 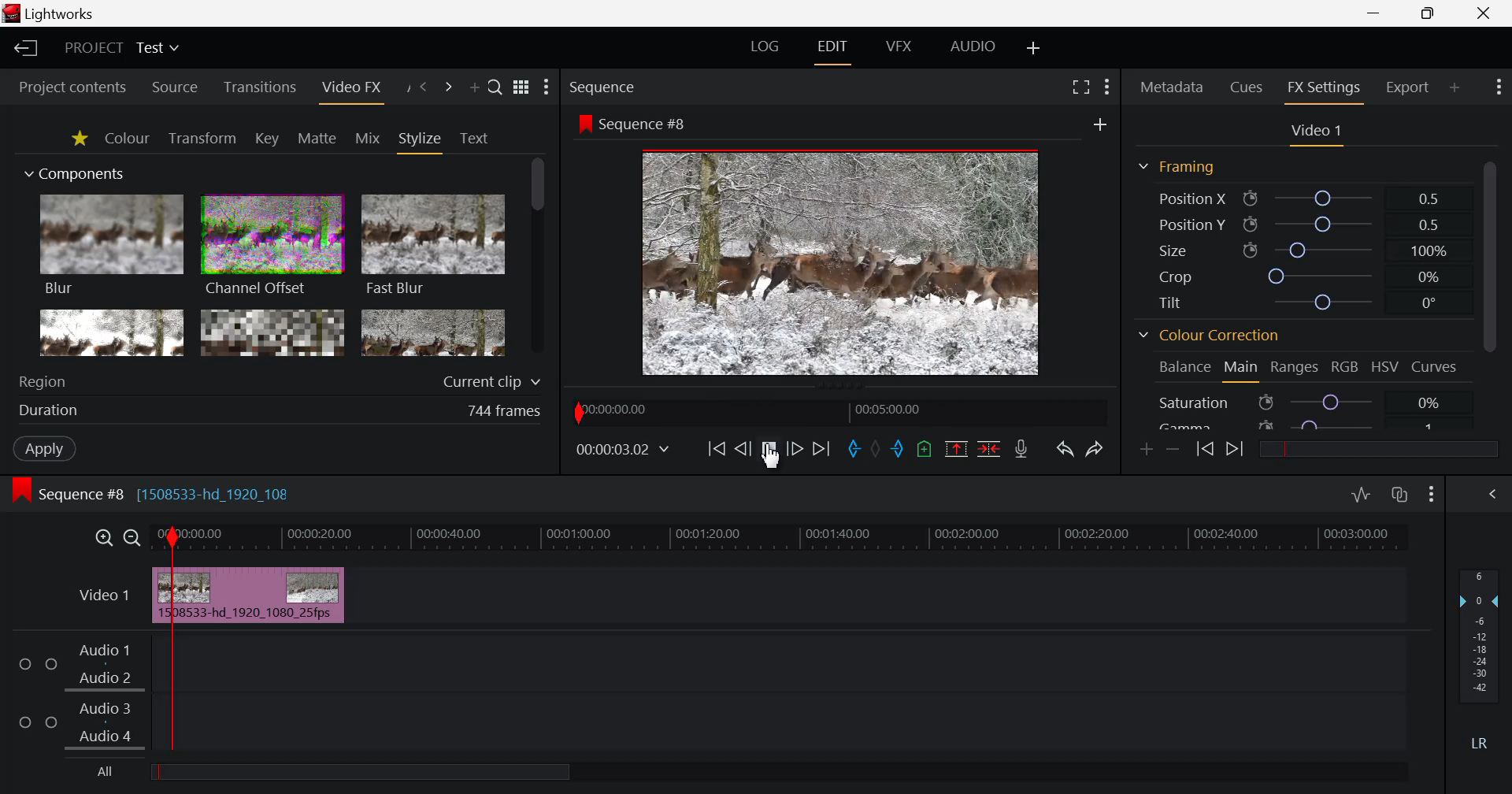 What do you see at coordinates (176, 87) in the screenshot?
I see `Source` at bounding box center [176, 87].